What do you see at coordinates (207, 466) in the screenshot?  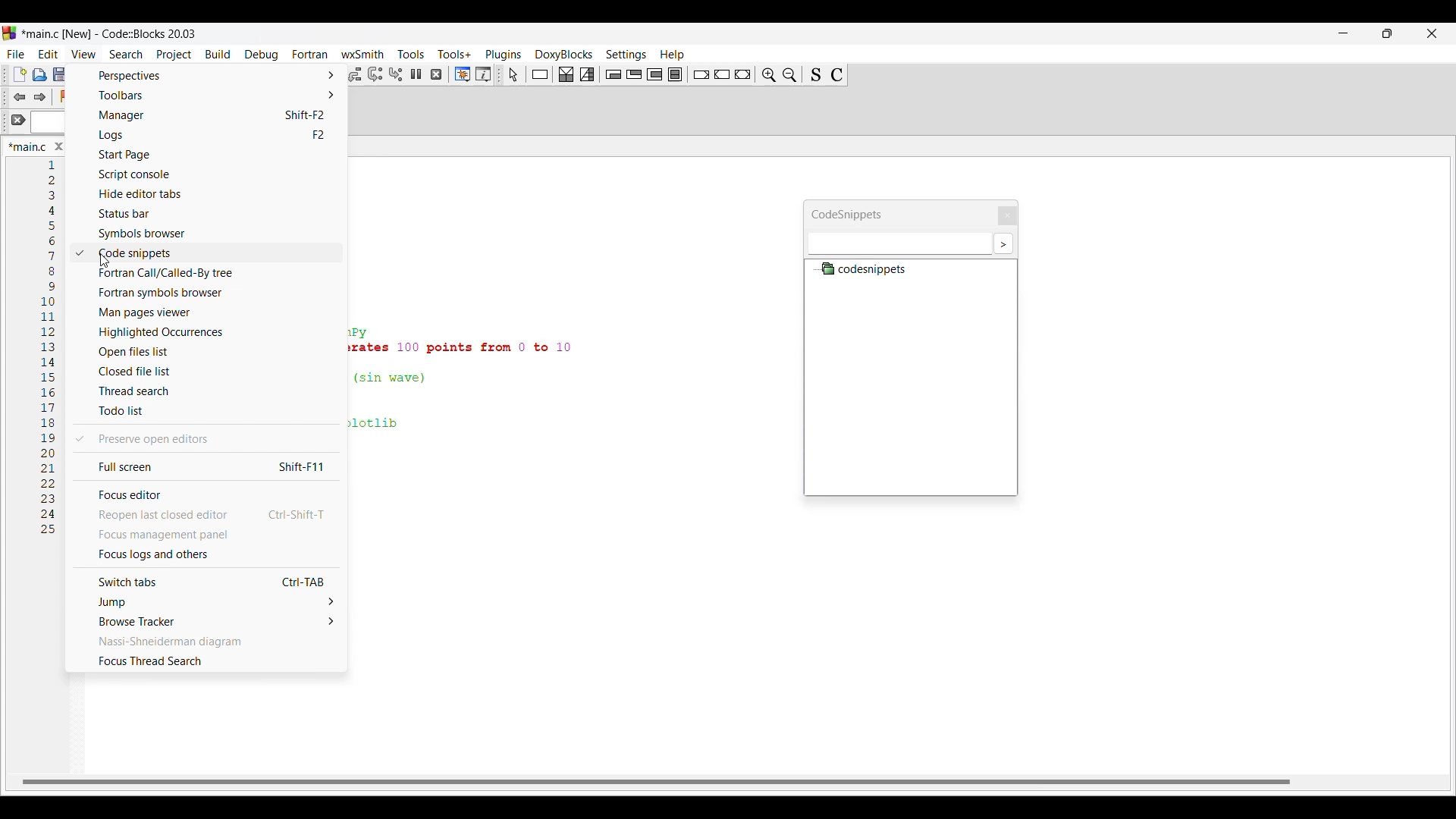 I see `Full screen` at bounding box center [207, 466].